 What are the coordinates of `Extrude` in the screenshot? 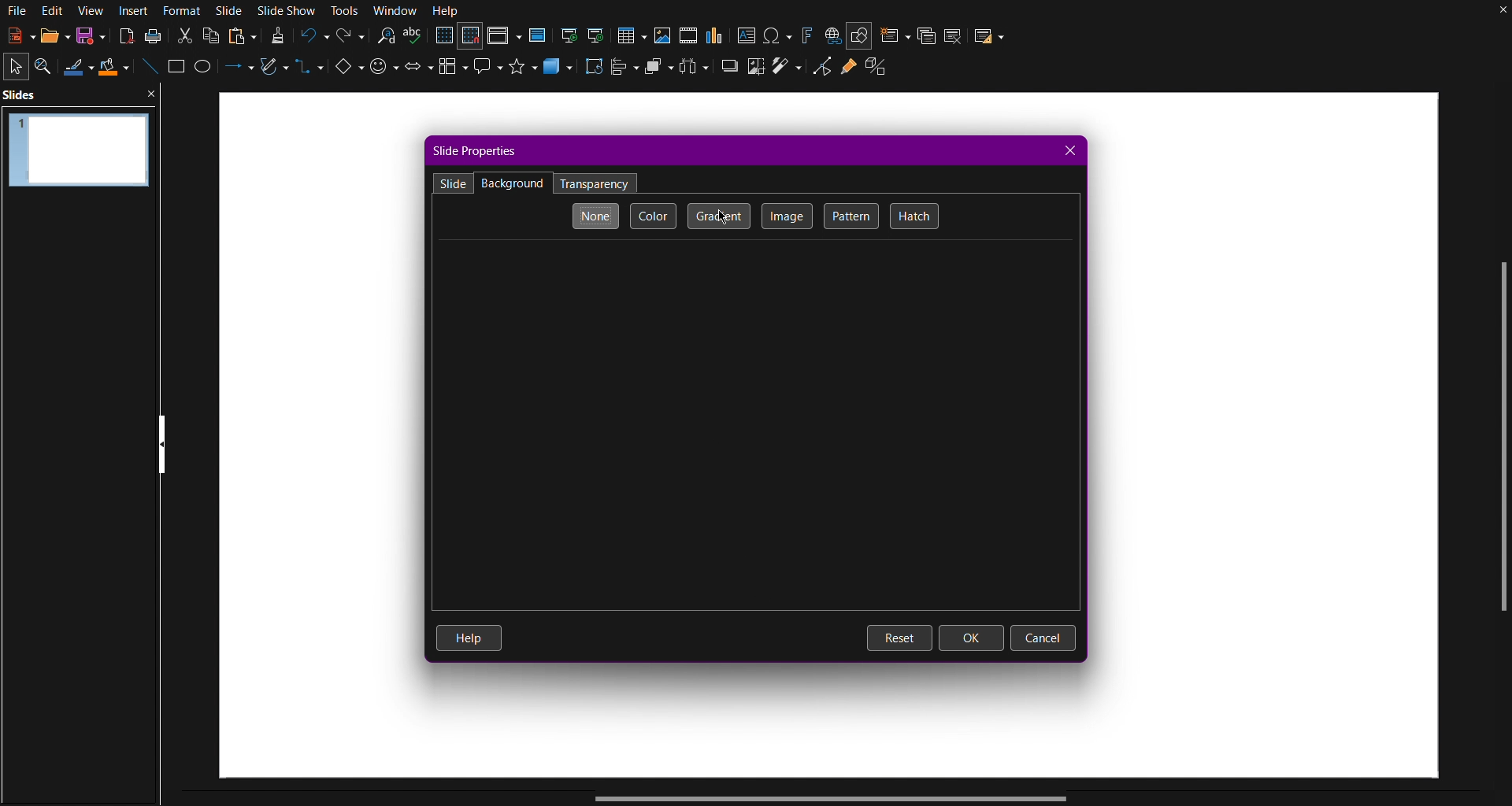 It's located at (882, 72).